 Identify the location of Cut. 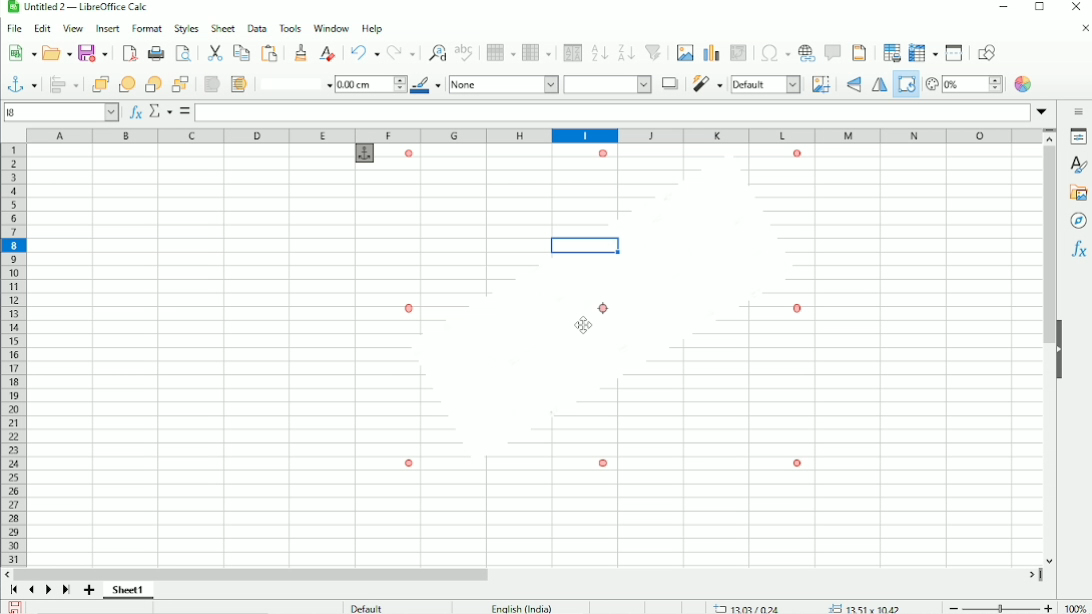
(215, 53).